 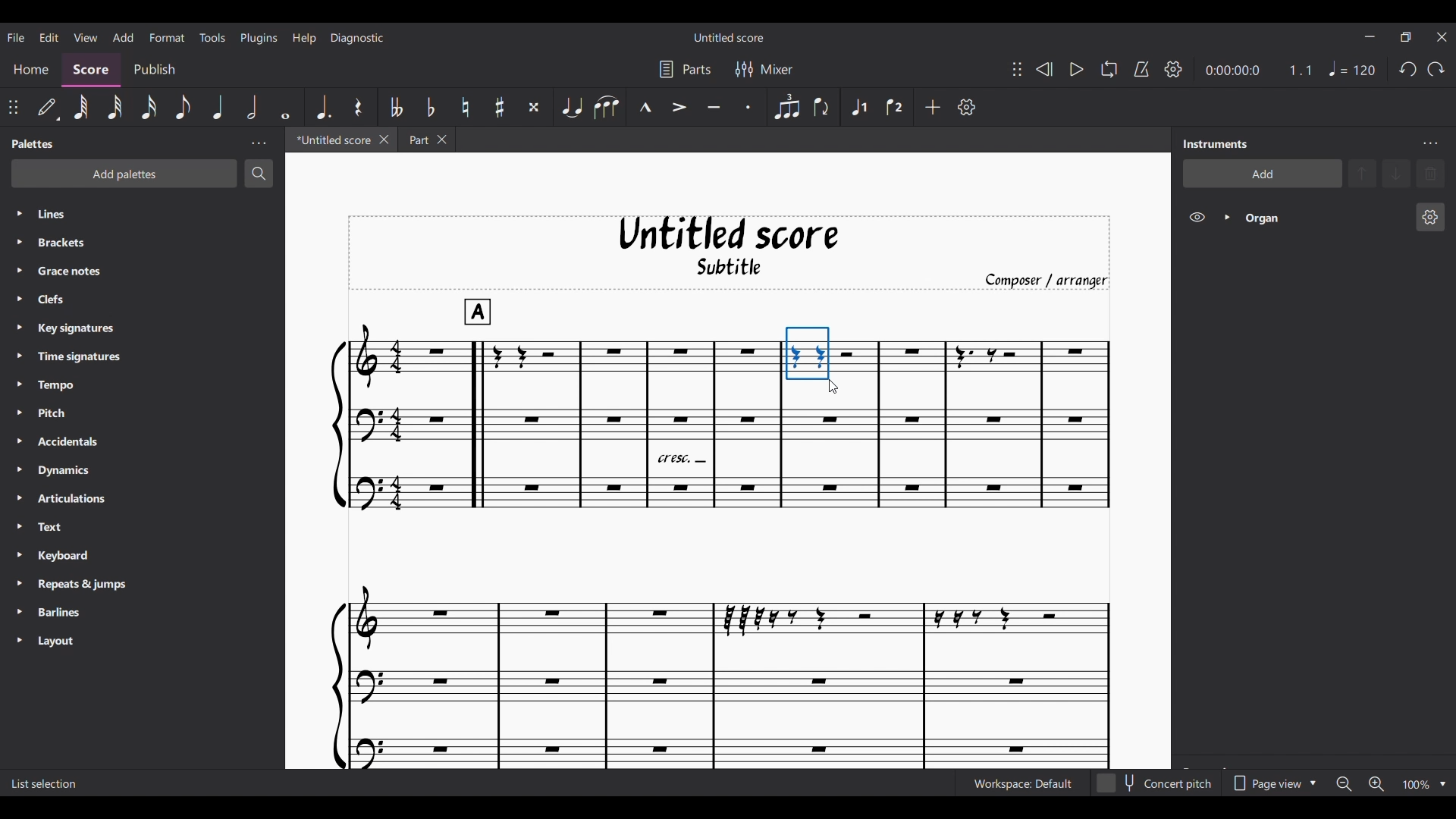 I want to click on Toggle for Concert pitch, so click(x=1156, y=783).